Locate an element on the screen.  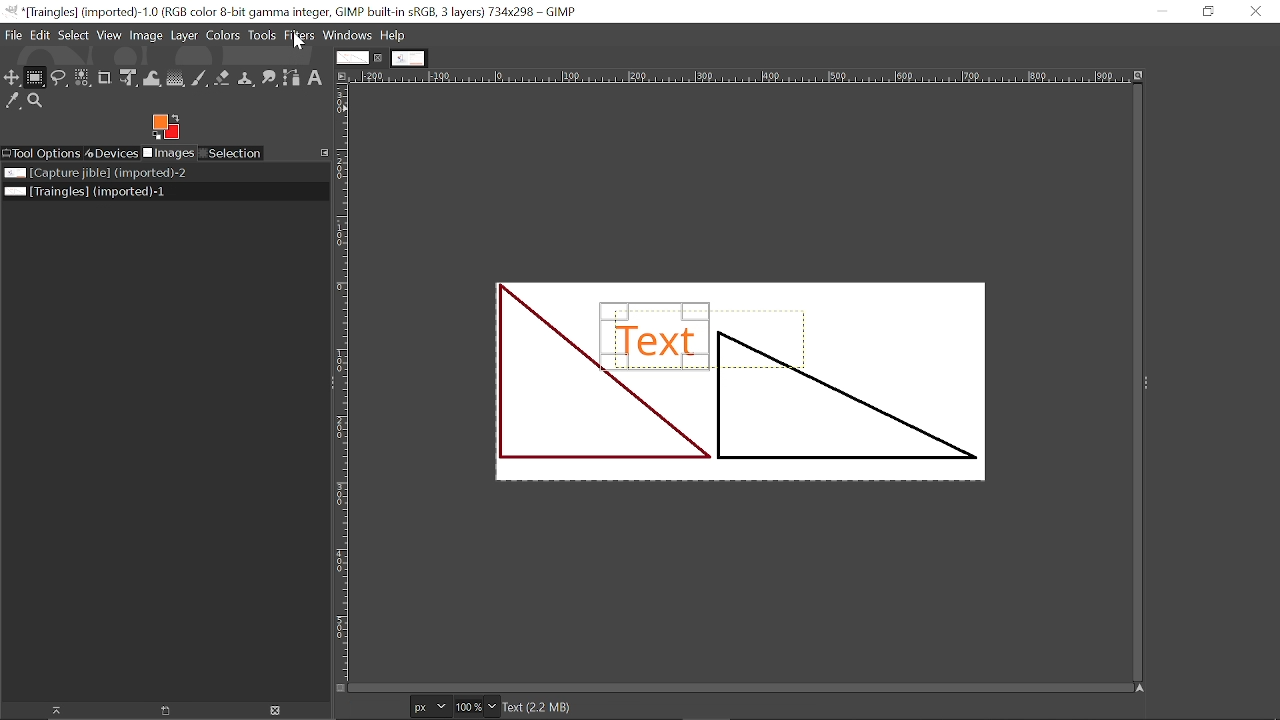
Raise this image display is located at coordinates (54, 710).